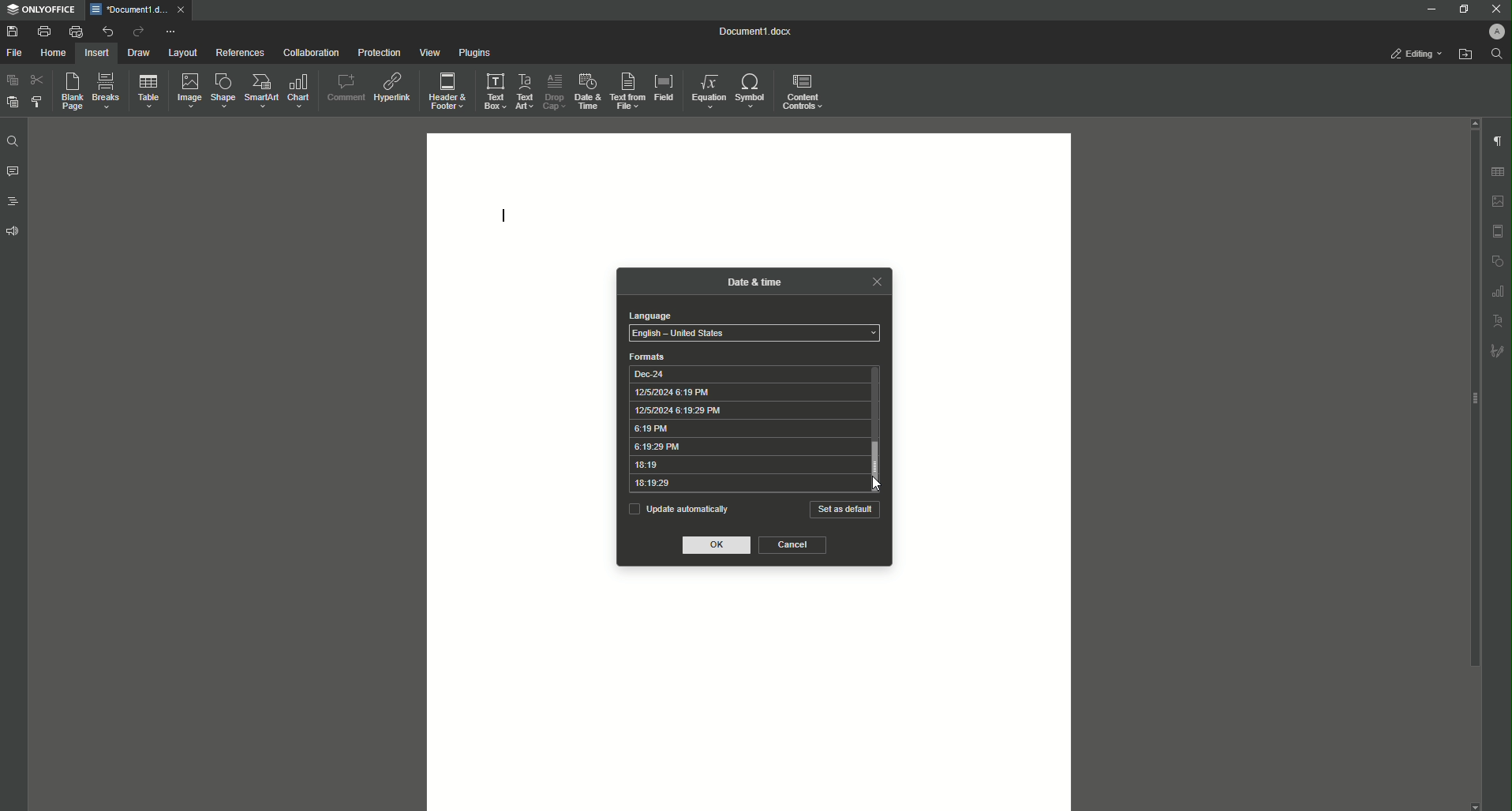 This screenshot has width=1512, height=811. Describe the element at coordinates (259, 92) in the screenshot. I see `SmartArt` at that location.